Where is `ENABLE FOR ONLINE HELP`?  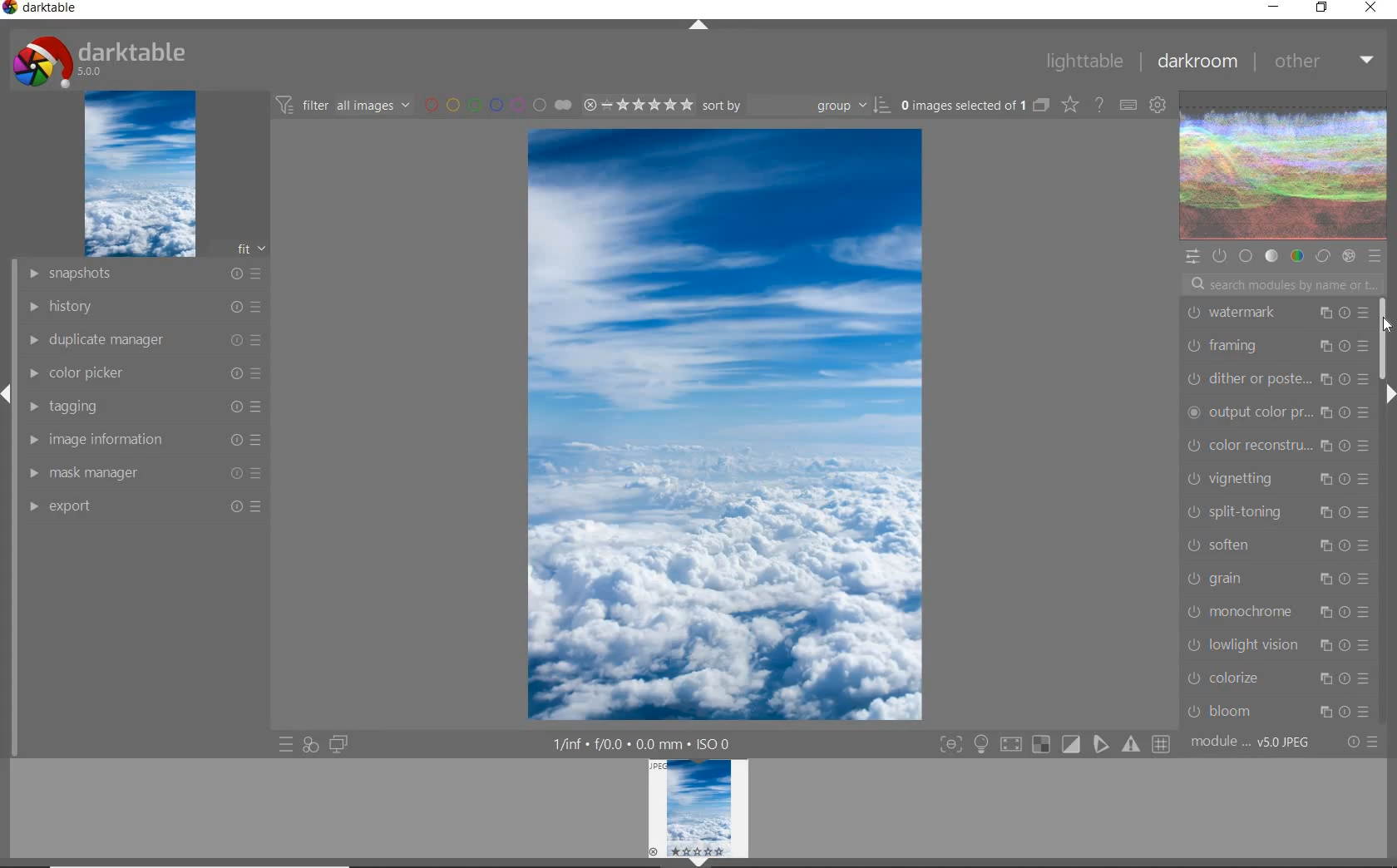
ENABLE FOR ONLINE HELP is located at coordinates (1098, 104).